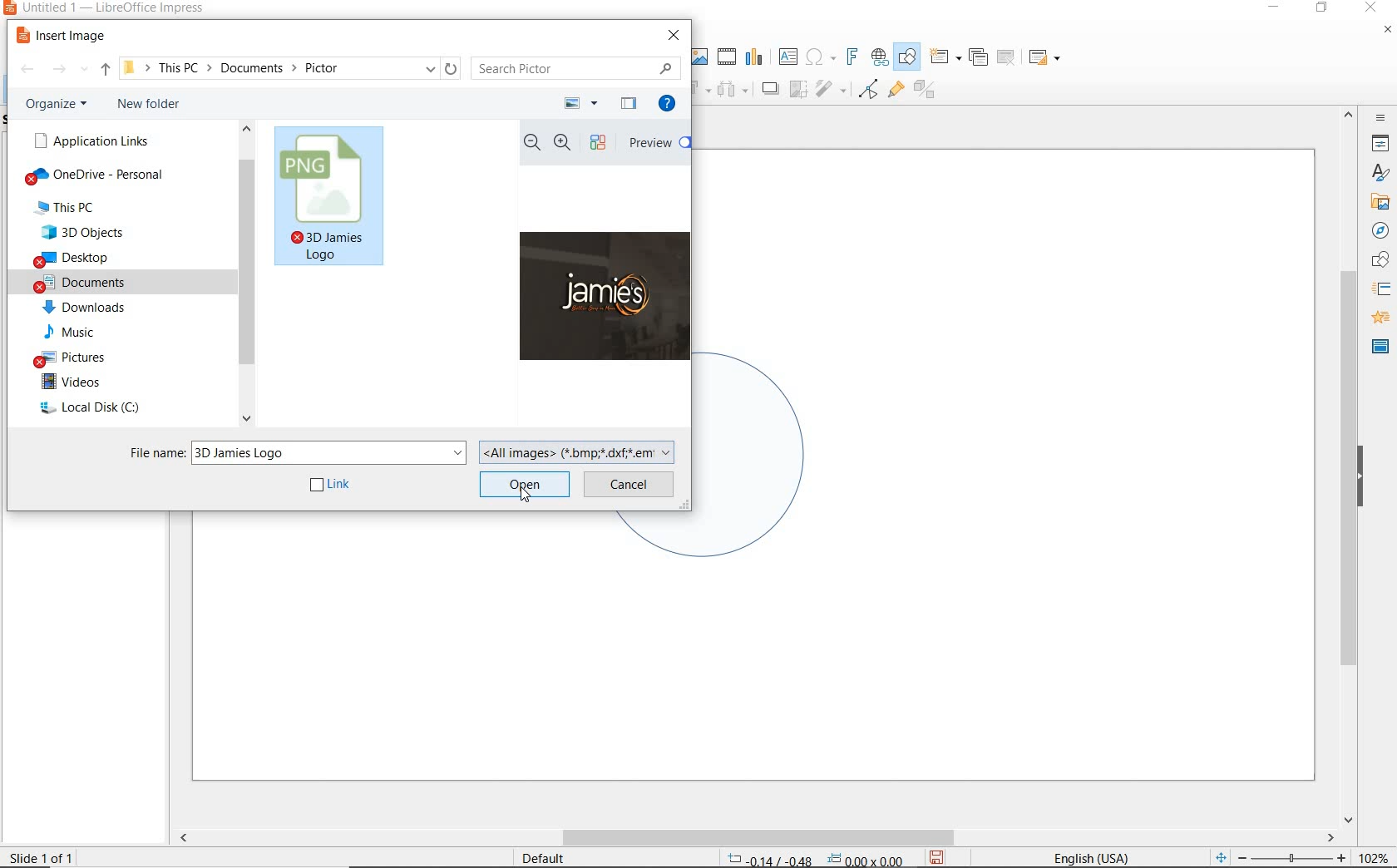 This screenshot has height=868, width=1397. What do you see at coordinates (945, 57) in the screenshot?
I see `new slide` at bounding box center [945, 57].